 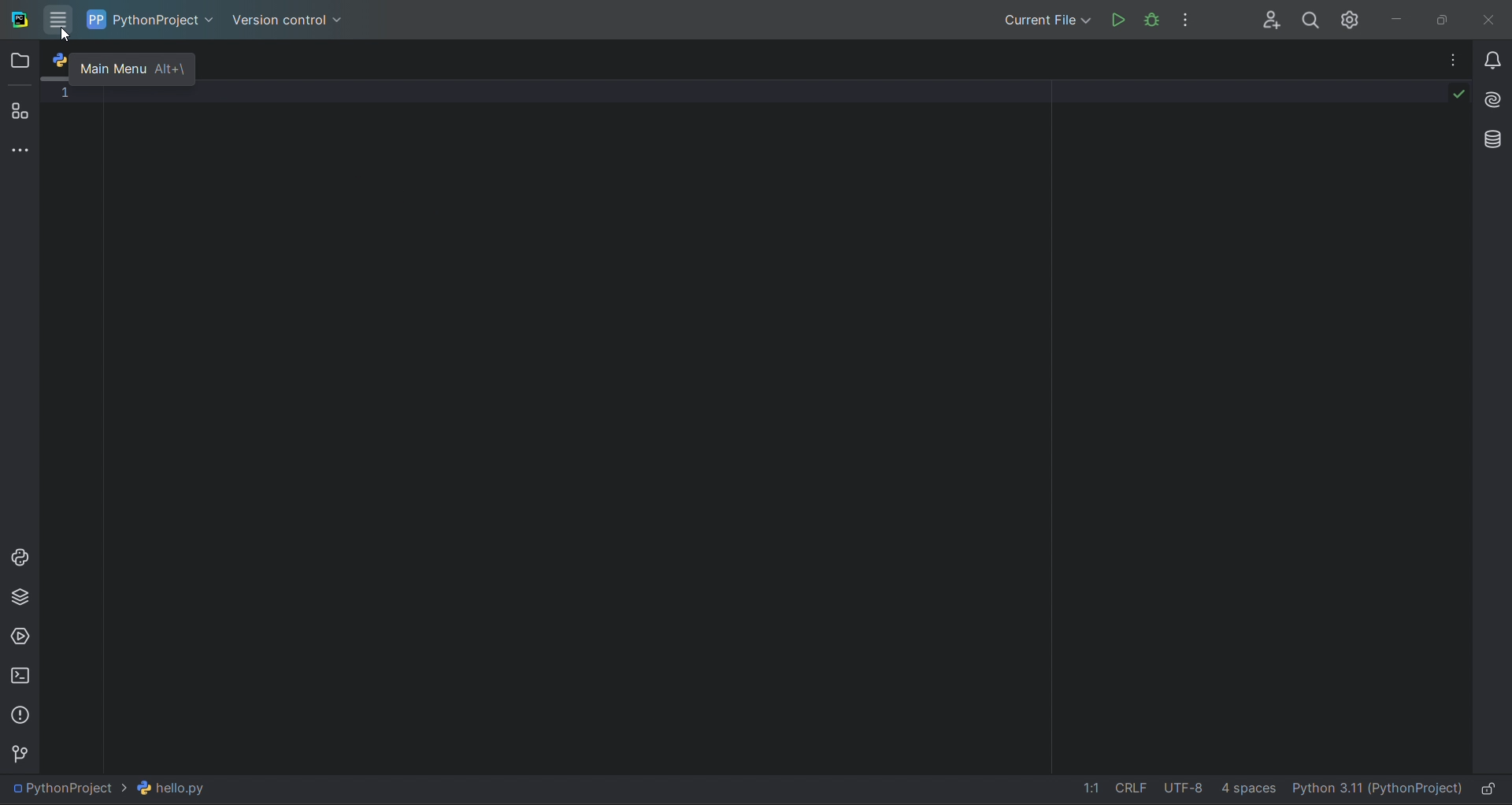 What do you see at coordinates (1376, 791) in the screenshot?
I see `interpreter` at bounding box center [1376, 791].